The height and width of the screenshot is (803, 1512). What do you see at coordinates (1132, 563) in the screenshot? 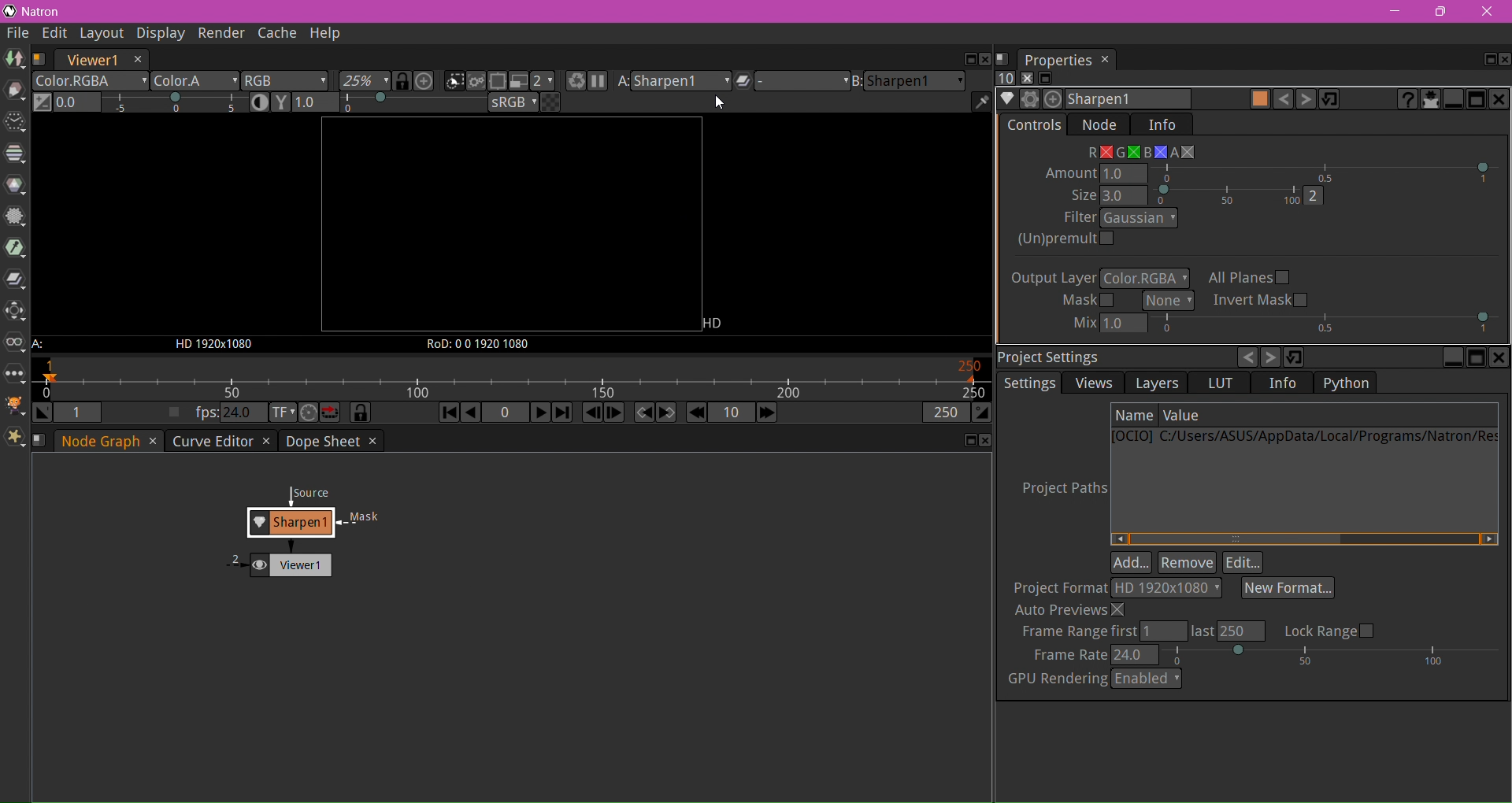
I see `Add...` at bounding box center [1132, 563].